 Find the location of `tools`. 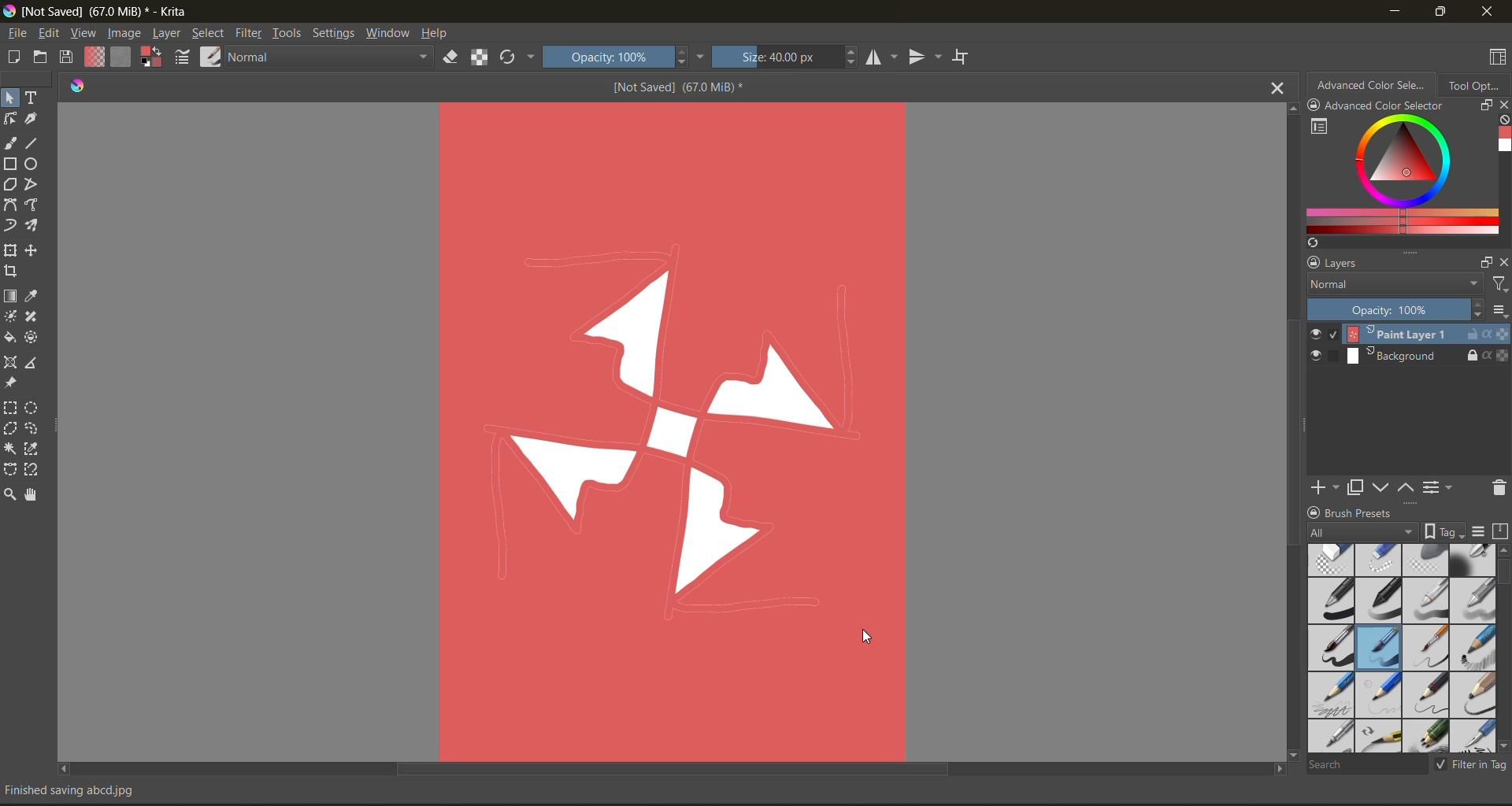

tools is located at coordinates (35, 98).